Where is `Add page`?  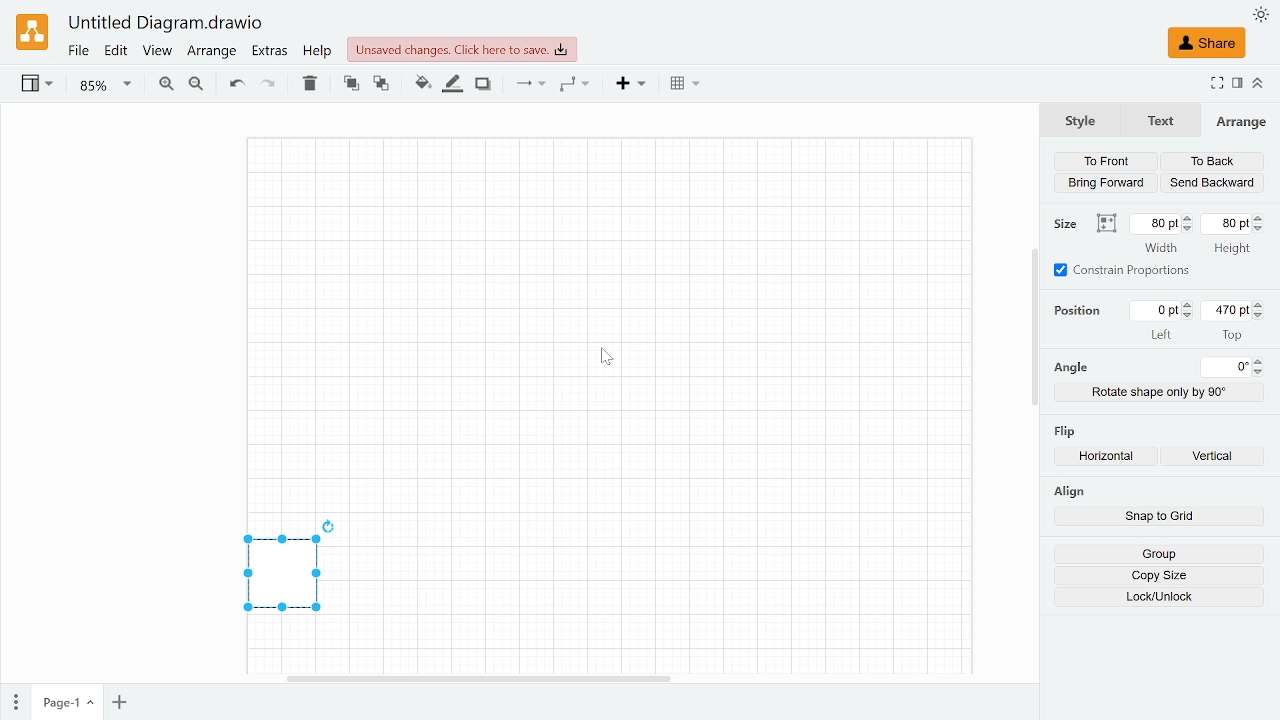 Add page is located at coordinates (119, 703).